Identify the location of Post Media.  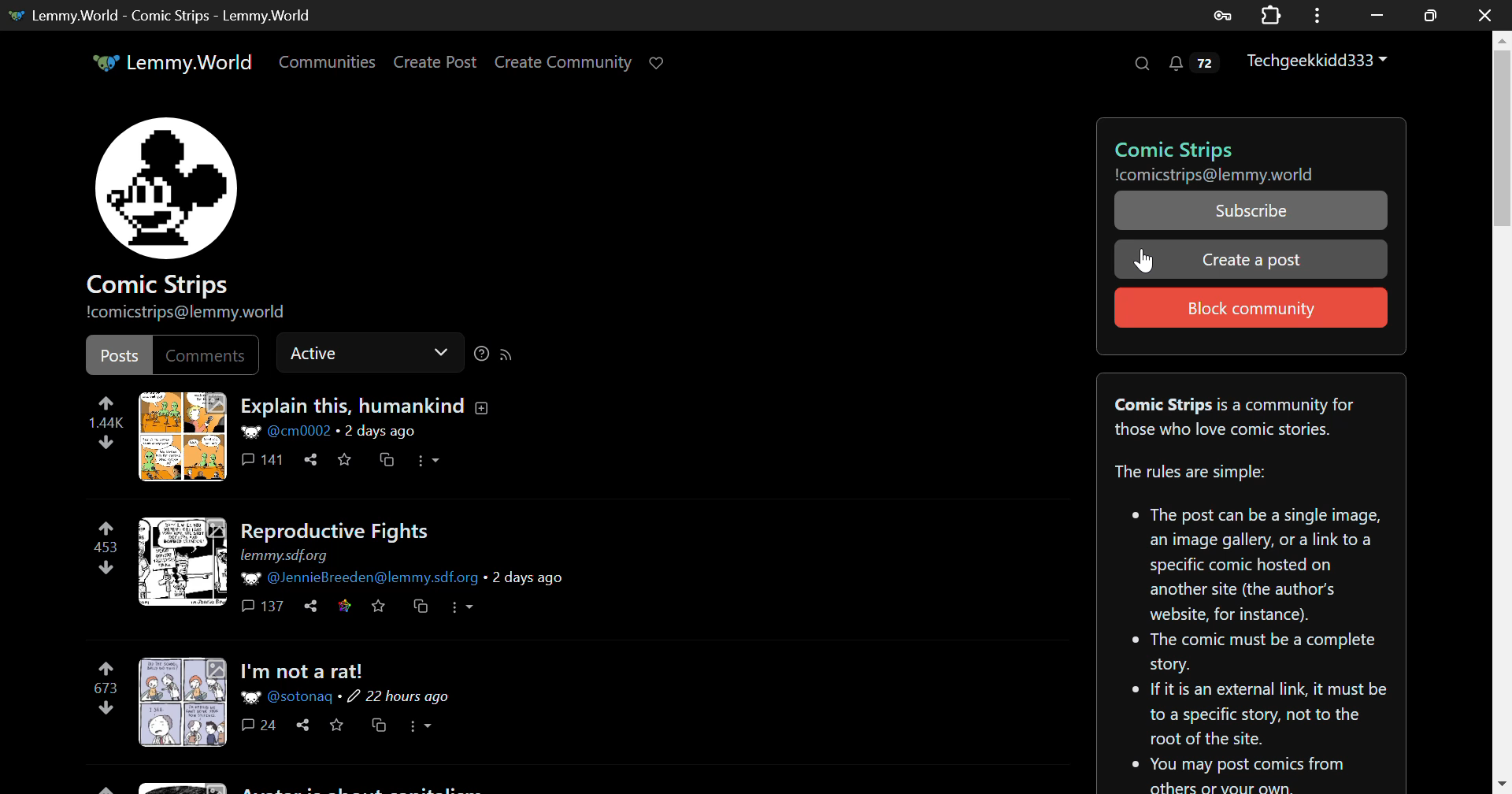
(183, 703).